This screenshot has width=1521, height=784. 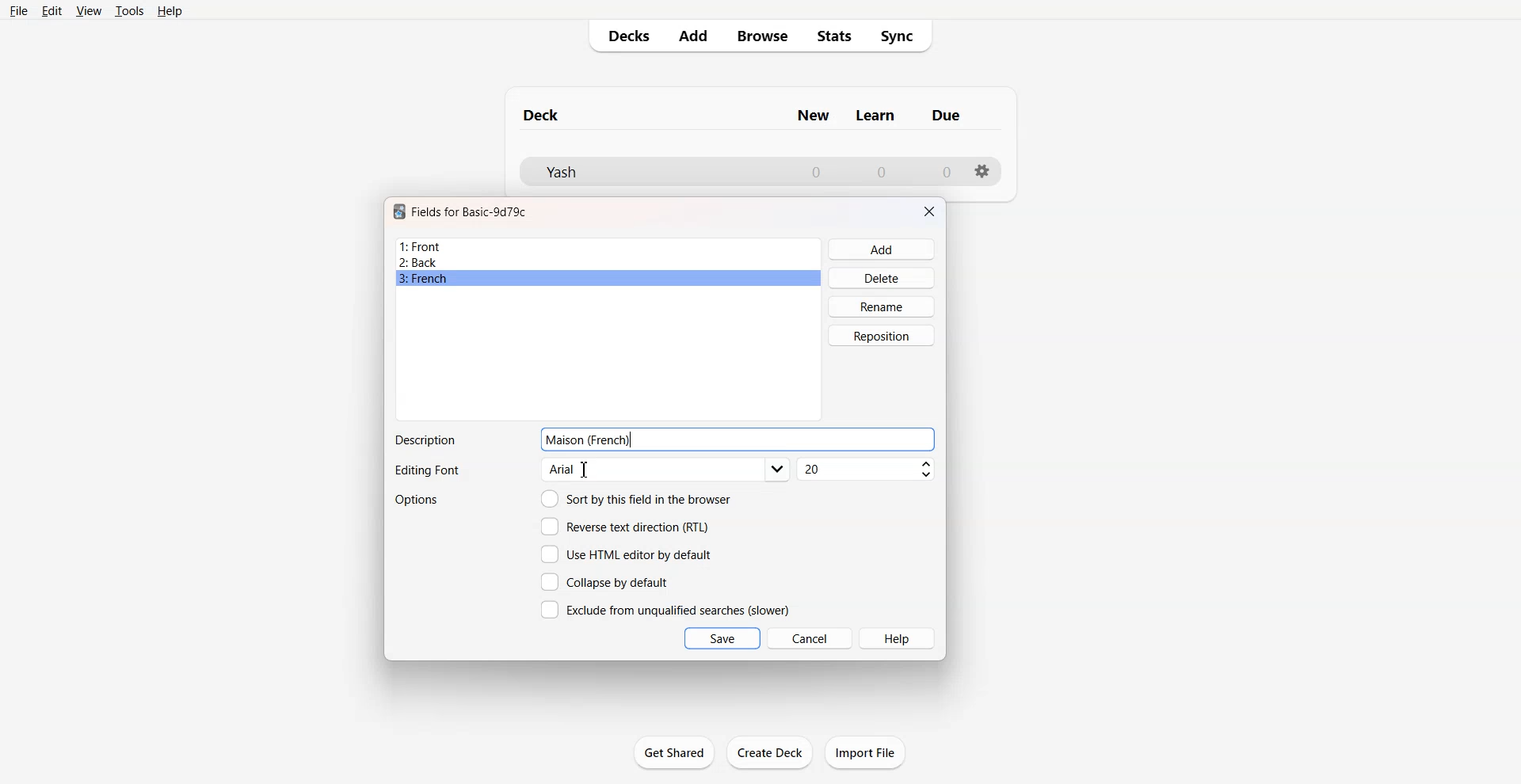 What do you see at coordinates (589, 440) in the screenshot?
I see `Text` at bounding box center [589, 440].